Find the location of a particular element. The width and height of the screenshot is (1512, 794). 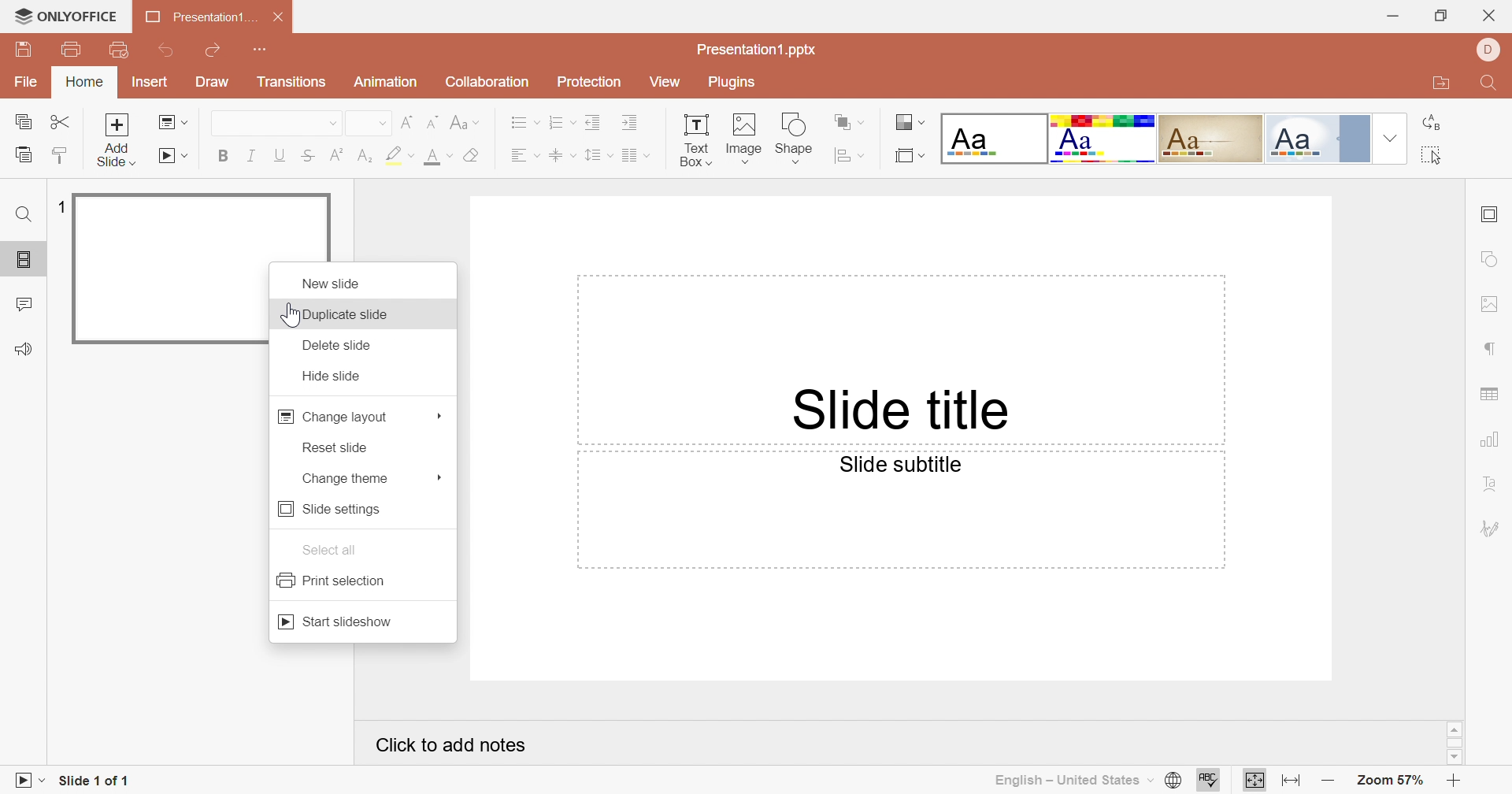

Draw is located at coordinates (215, 84).